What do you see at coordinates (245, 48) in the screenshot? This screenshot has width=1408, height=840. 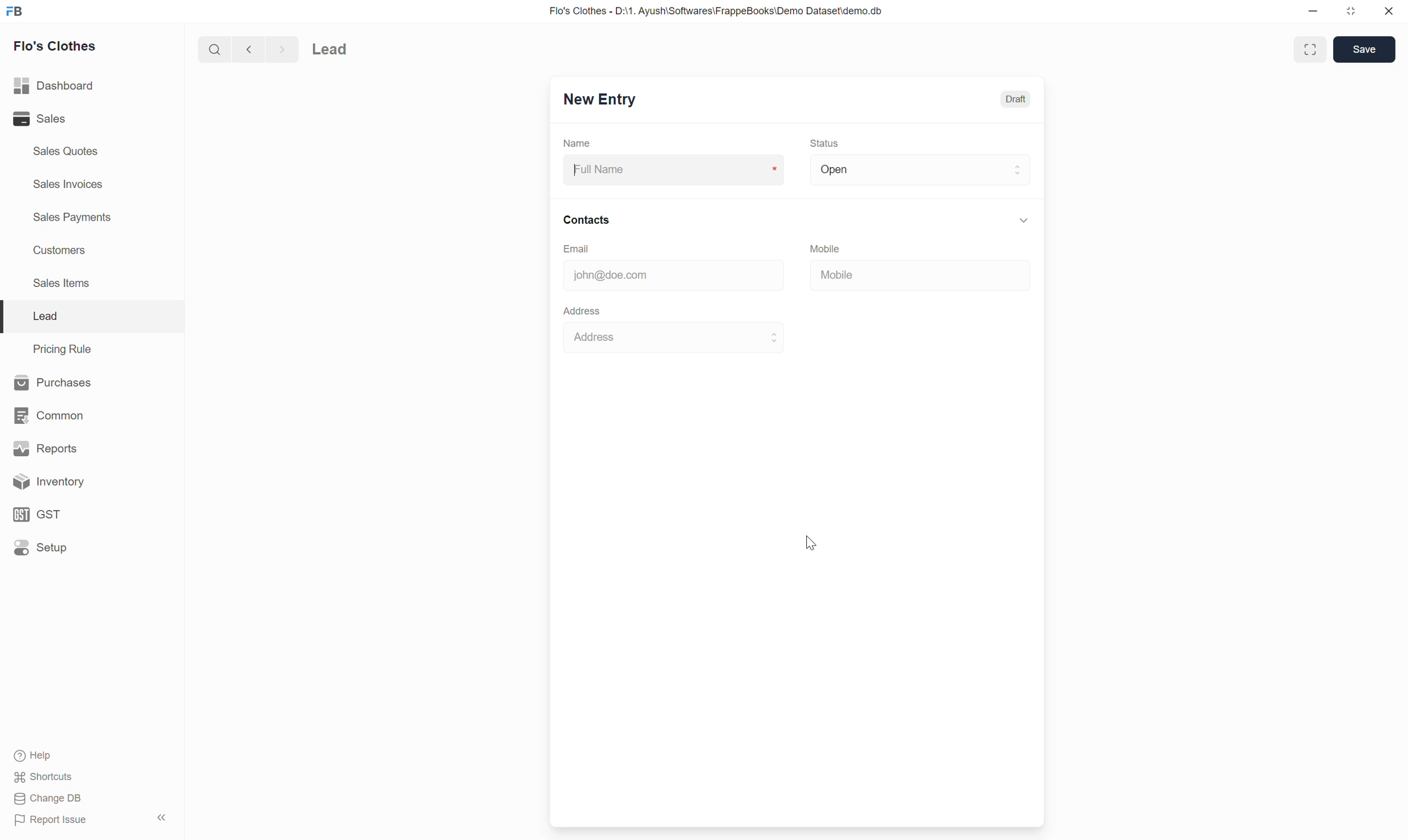 I see `Backward` at bounding box center [245, 48].